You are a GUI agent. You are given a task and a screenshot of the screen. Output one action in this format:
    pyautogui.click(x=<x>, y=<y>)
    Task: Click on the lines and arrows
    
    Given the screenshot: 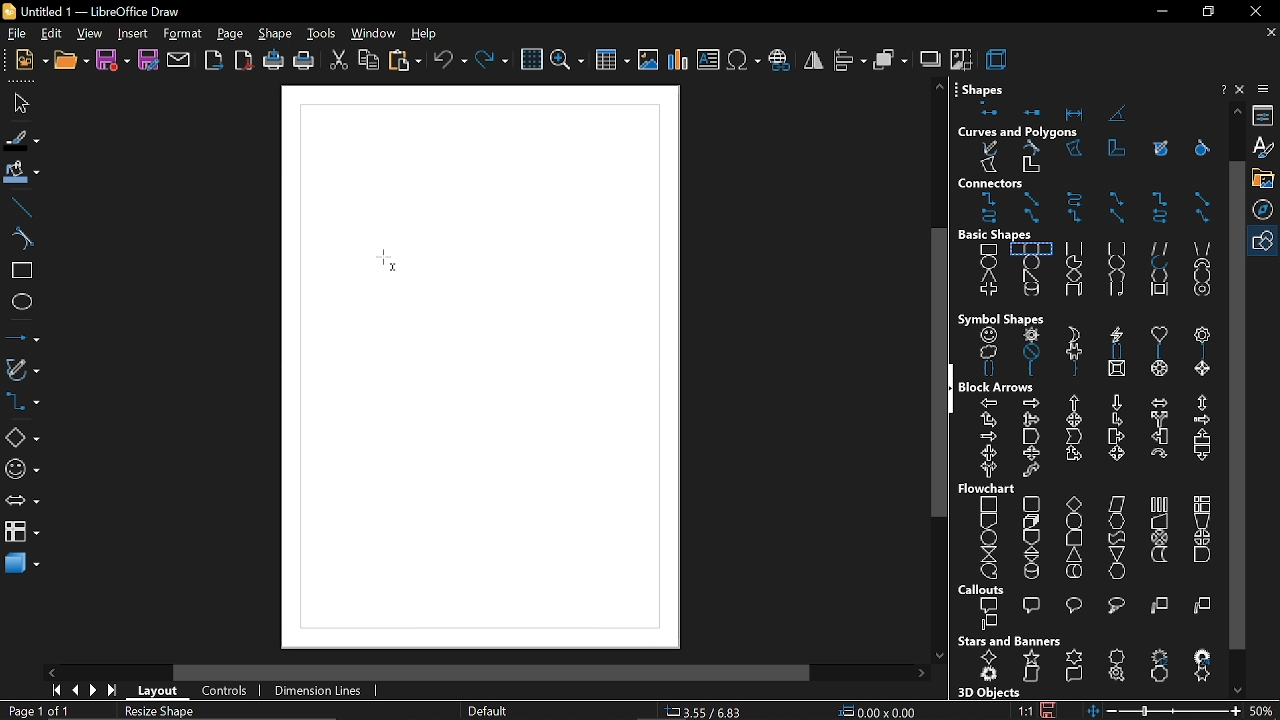 What is the action you would take?
    pyautogui.click(x=23, y=337)
    